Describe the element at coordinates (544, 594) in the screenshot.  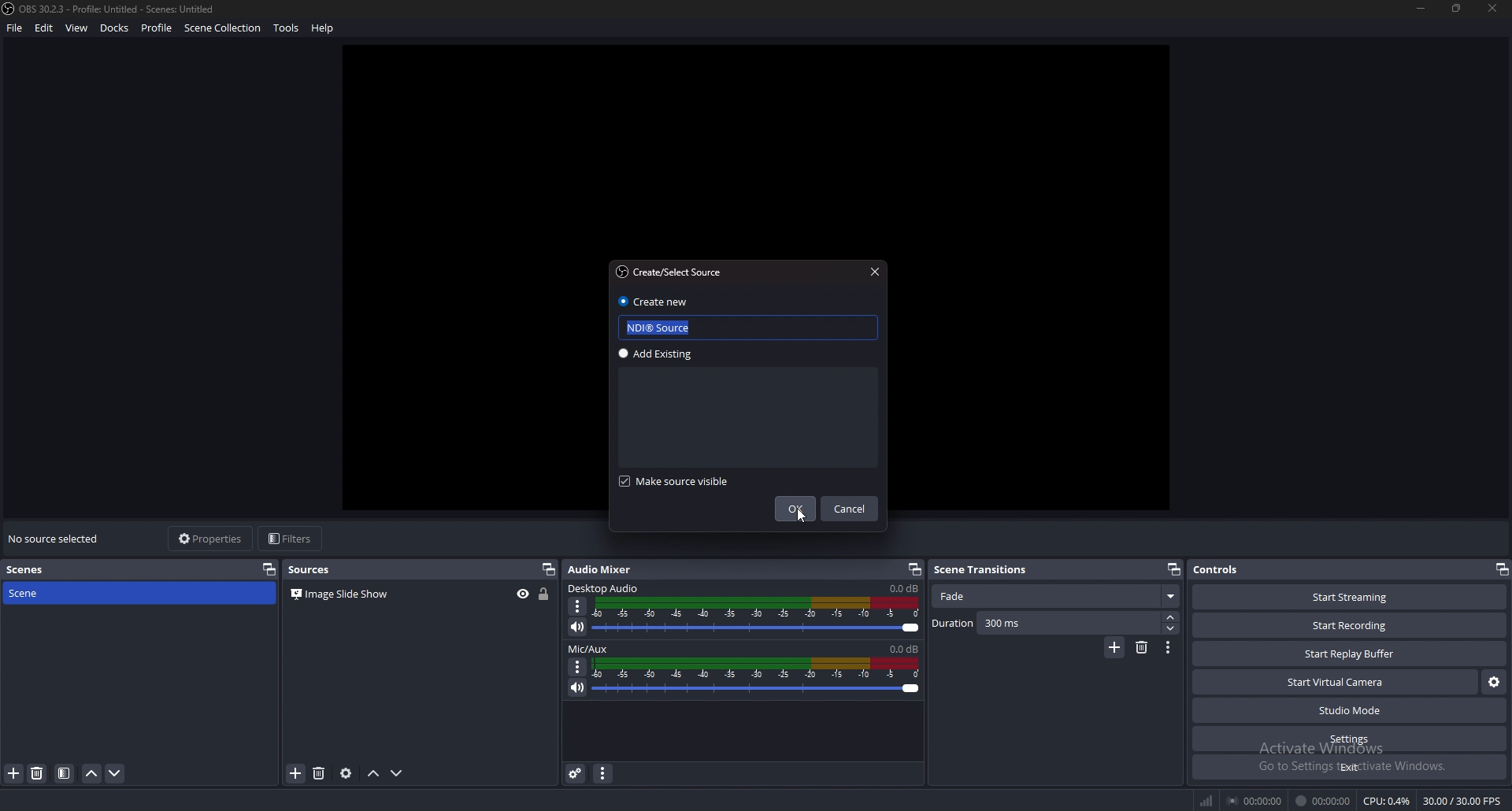
I see `lock` at that location.